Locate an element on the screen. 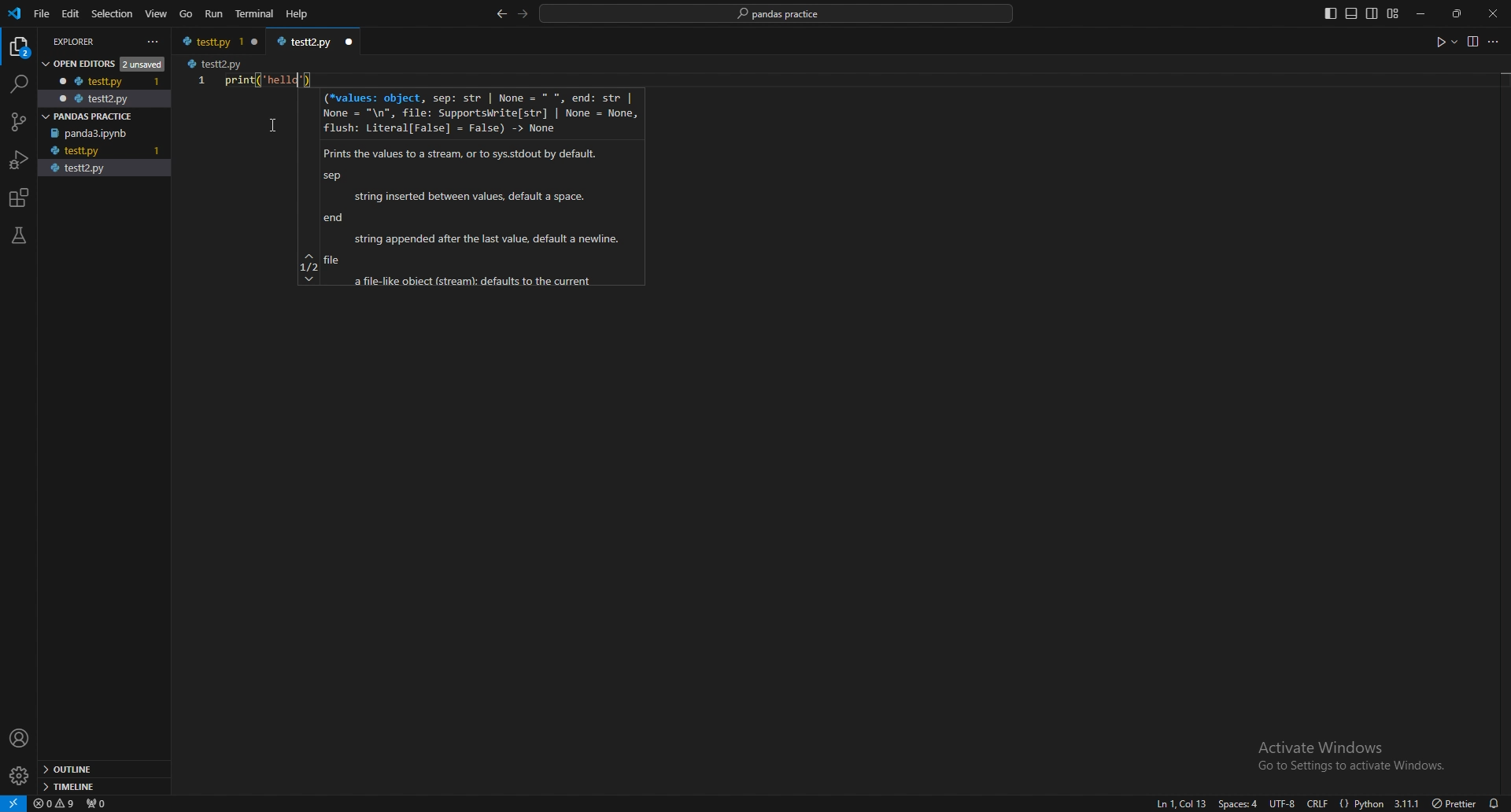  panda3.ipynb is located at coordinates (97, 134).